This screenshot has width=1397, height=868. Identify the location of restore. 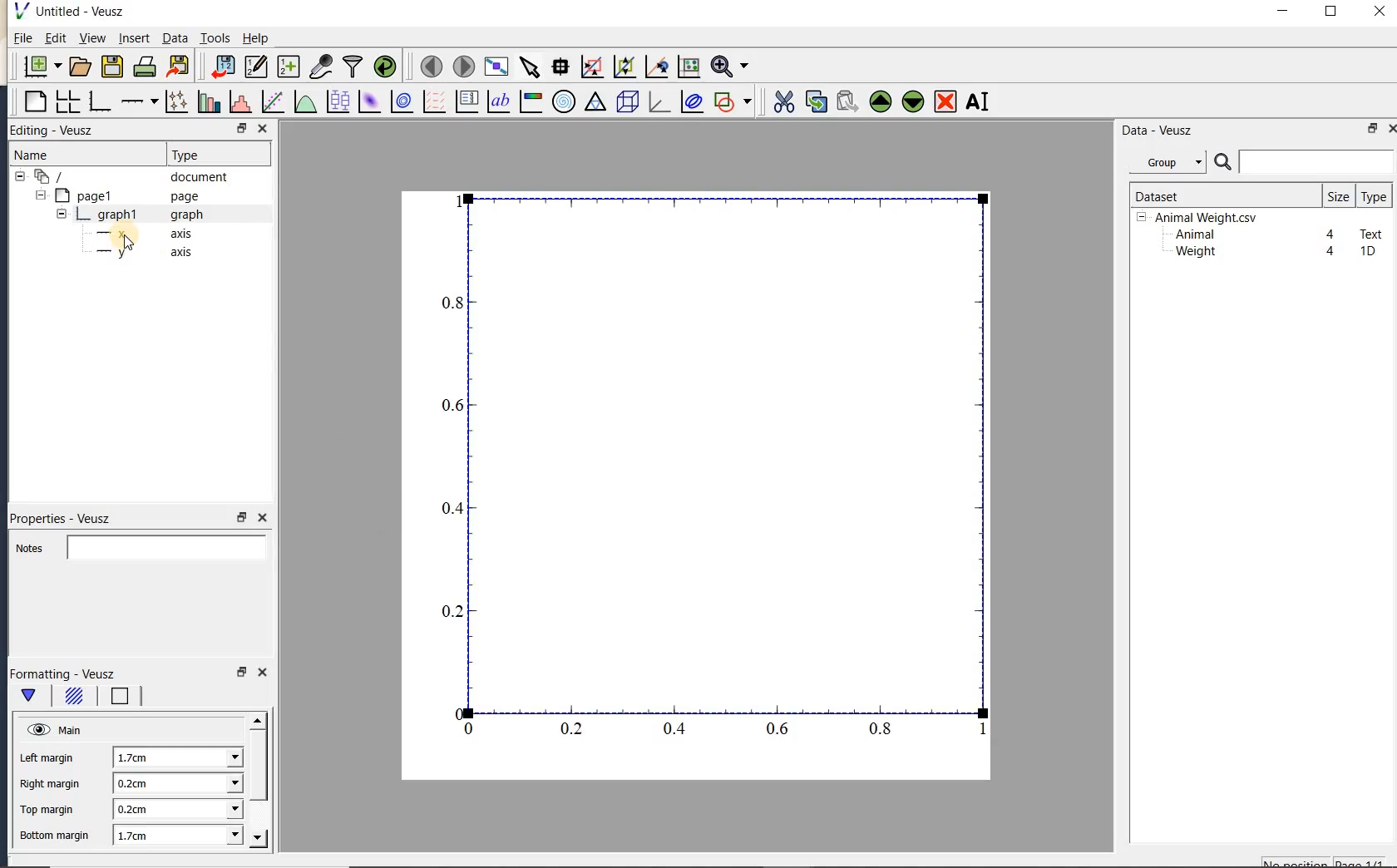
(1374, 128).